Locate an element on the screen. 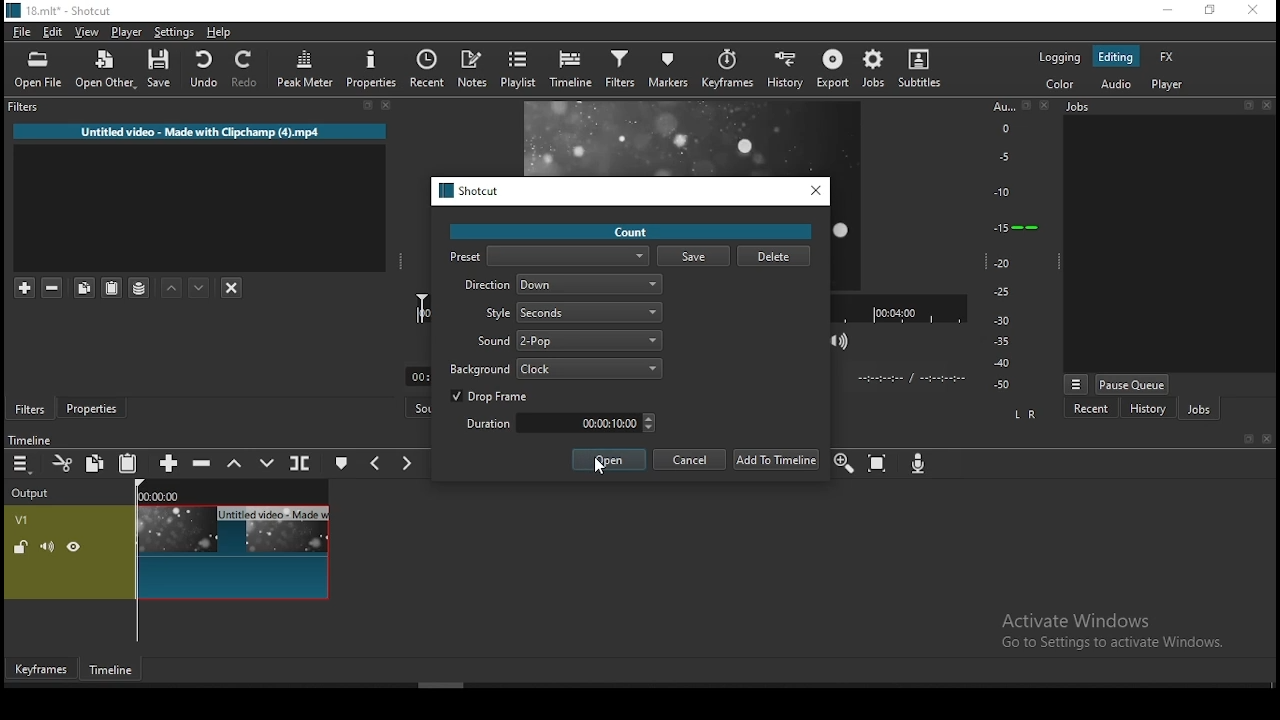 This screenshot has width=1280, height=720. recent is located at coordinates (1092, 411).